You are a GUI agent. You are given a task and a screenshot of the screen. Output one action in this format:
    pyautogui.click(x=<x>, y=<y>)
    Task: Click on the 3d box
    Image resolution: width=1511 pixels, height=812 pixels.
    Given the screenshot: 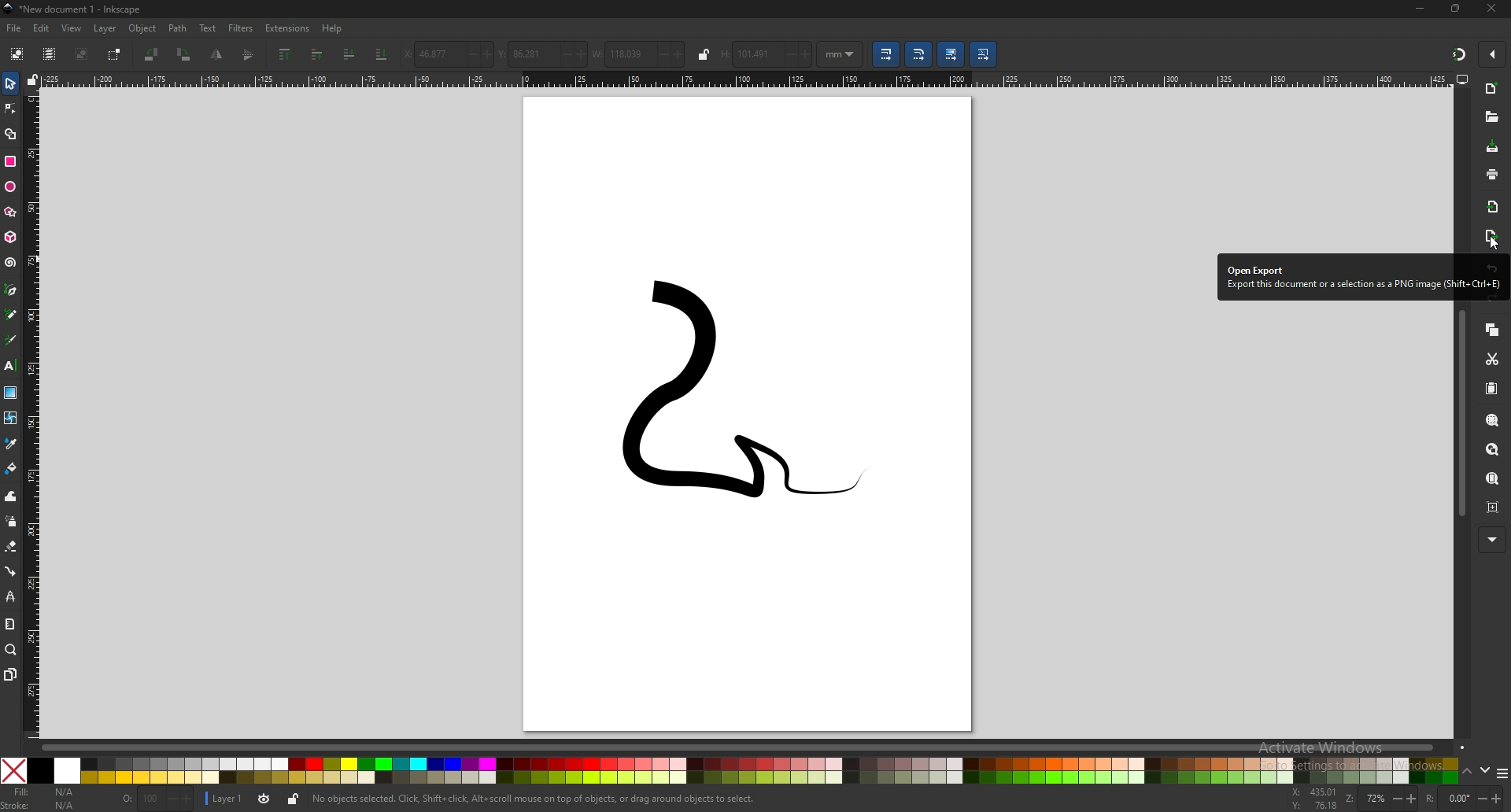 What is the action you would take?
    pyautogui.click(x=10, y=238)
    